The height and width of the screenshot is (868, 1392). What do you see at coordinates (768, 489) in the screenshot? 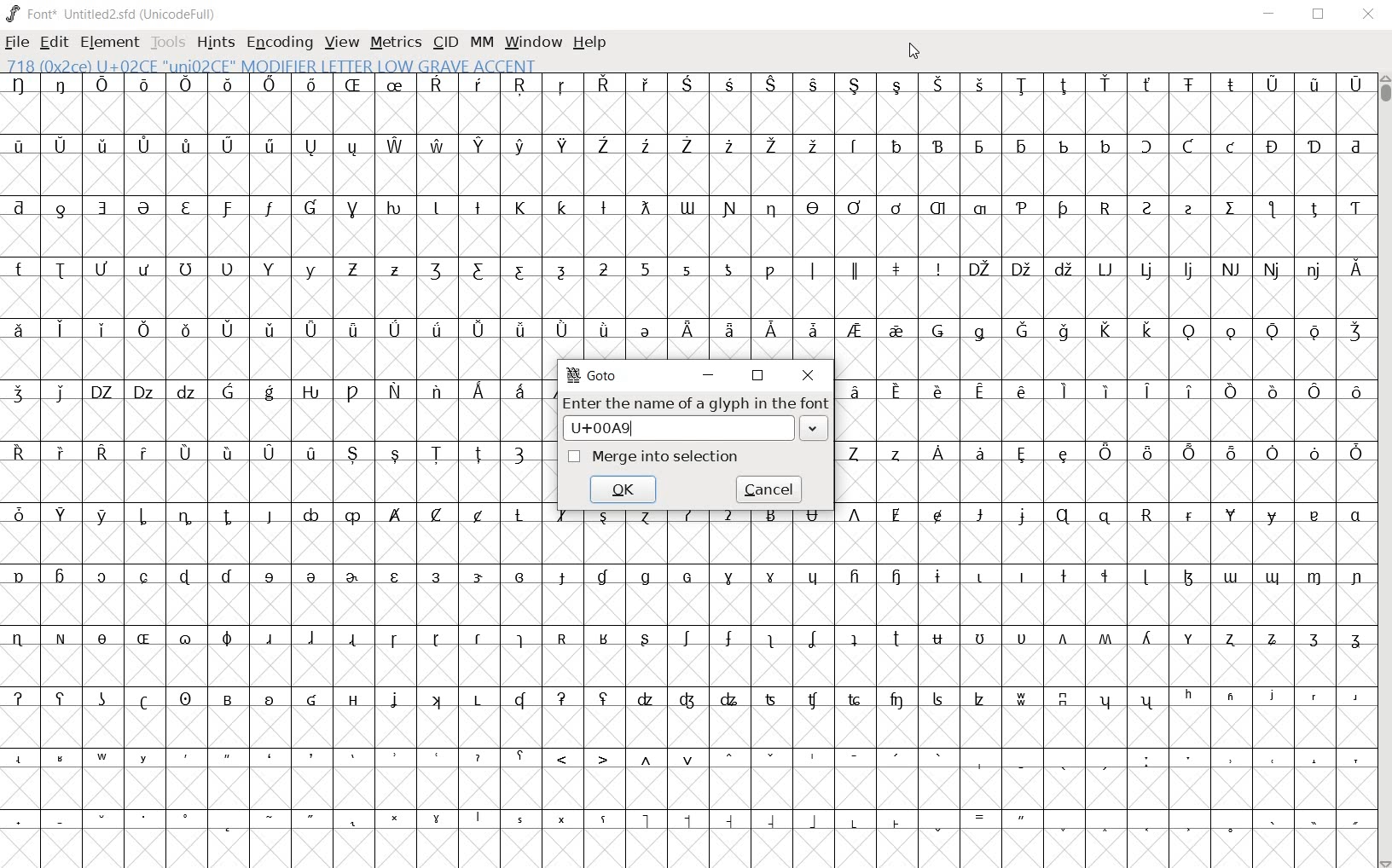
I see `cancel` at bounding box center [768, 489].